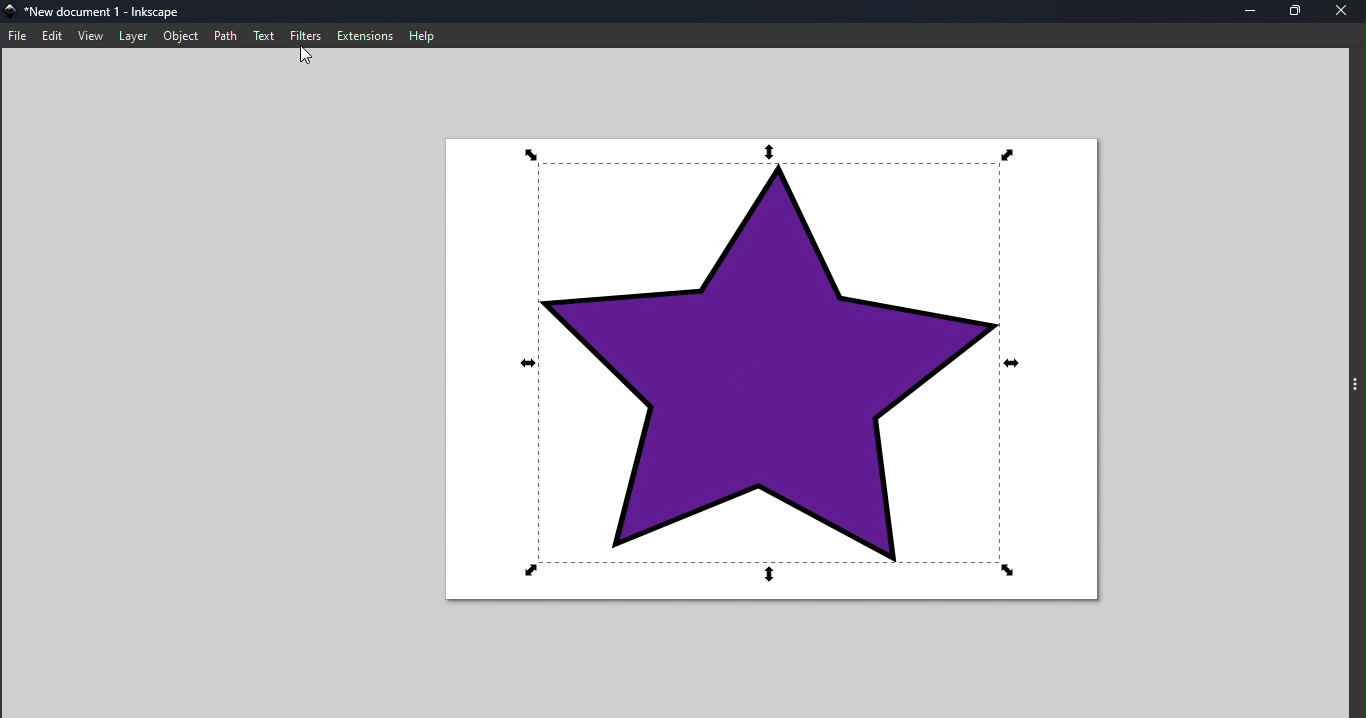 This screenshot has height=718, width=1366. What do you see at coordinates (89, 35) in the screenshot?
I see `View` at bounding box center [89, 35].